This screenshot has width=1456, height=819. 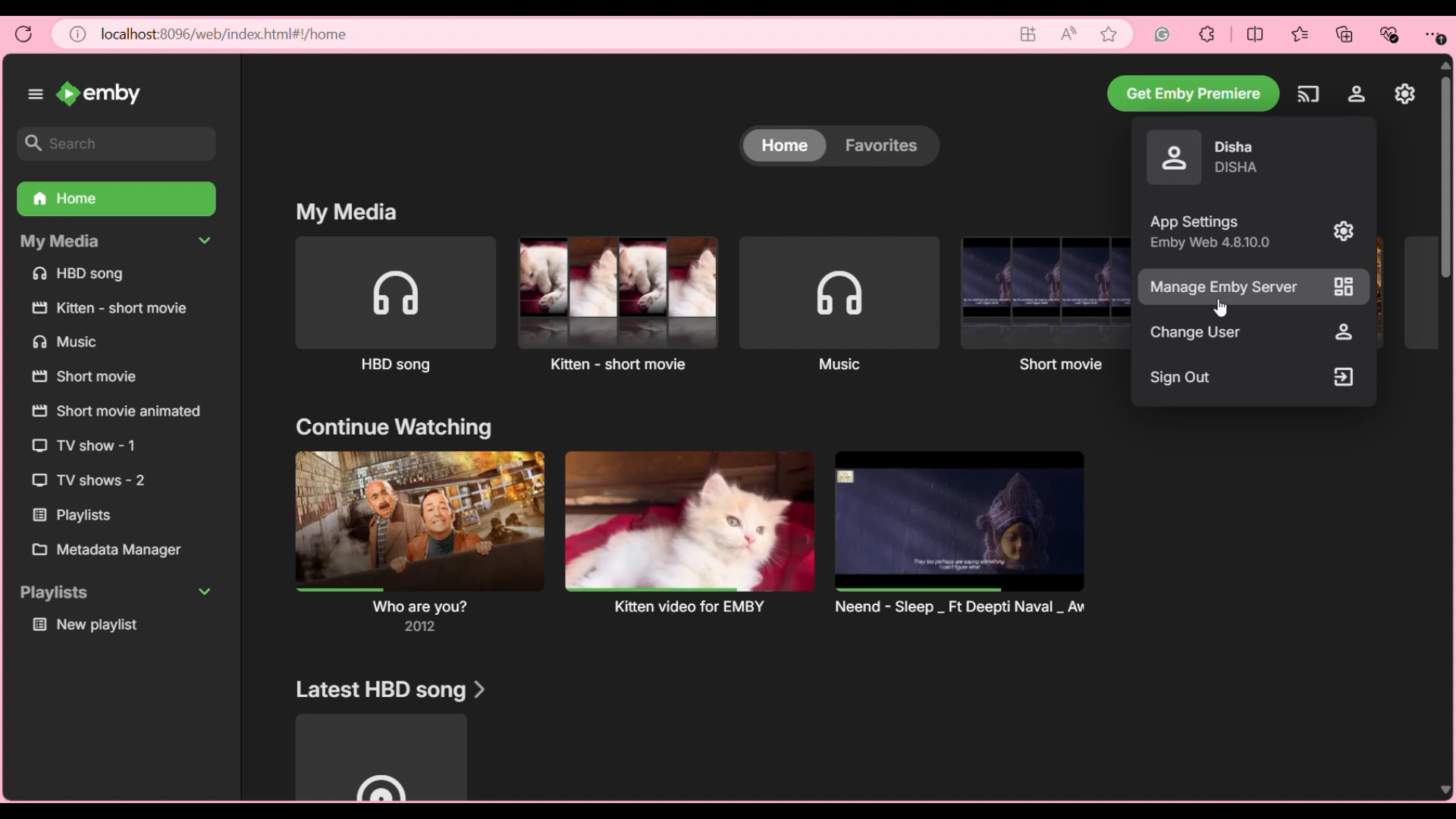 I want to click on localhost8096/web/index.html/home, so click(x=223, y=34).